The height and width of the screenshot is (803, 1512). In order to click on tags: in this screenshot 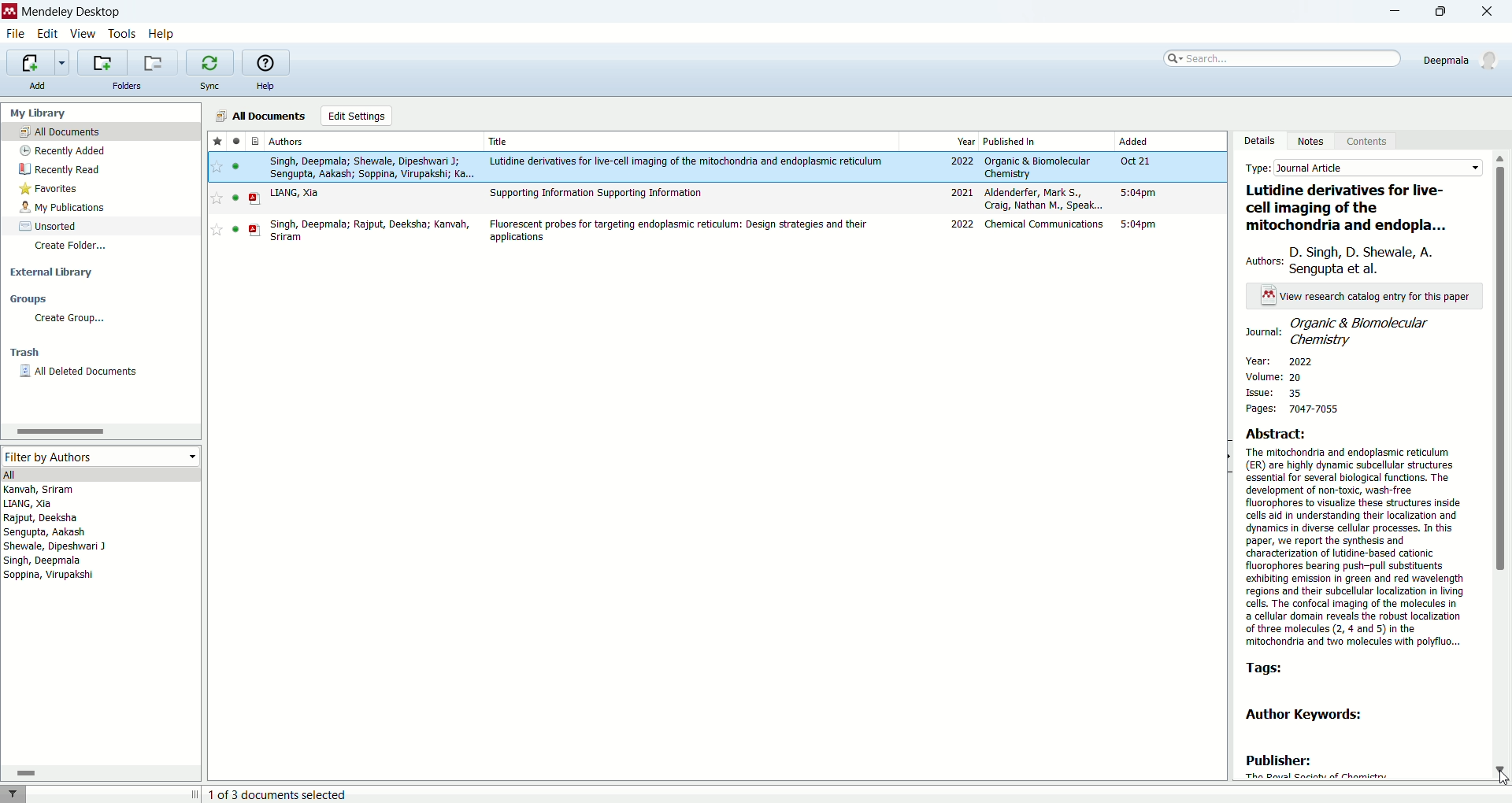, I will do `click(1280, 670)`.